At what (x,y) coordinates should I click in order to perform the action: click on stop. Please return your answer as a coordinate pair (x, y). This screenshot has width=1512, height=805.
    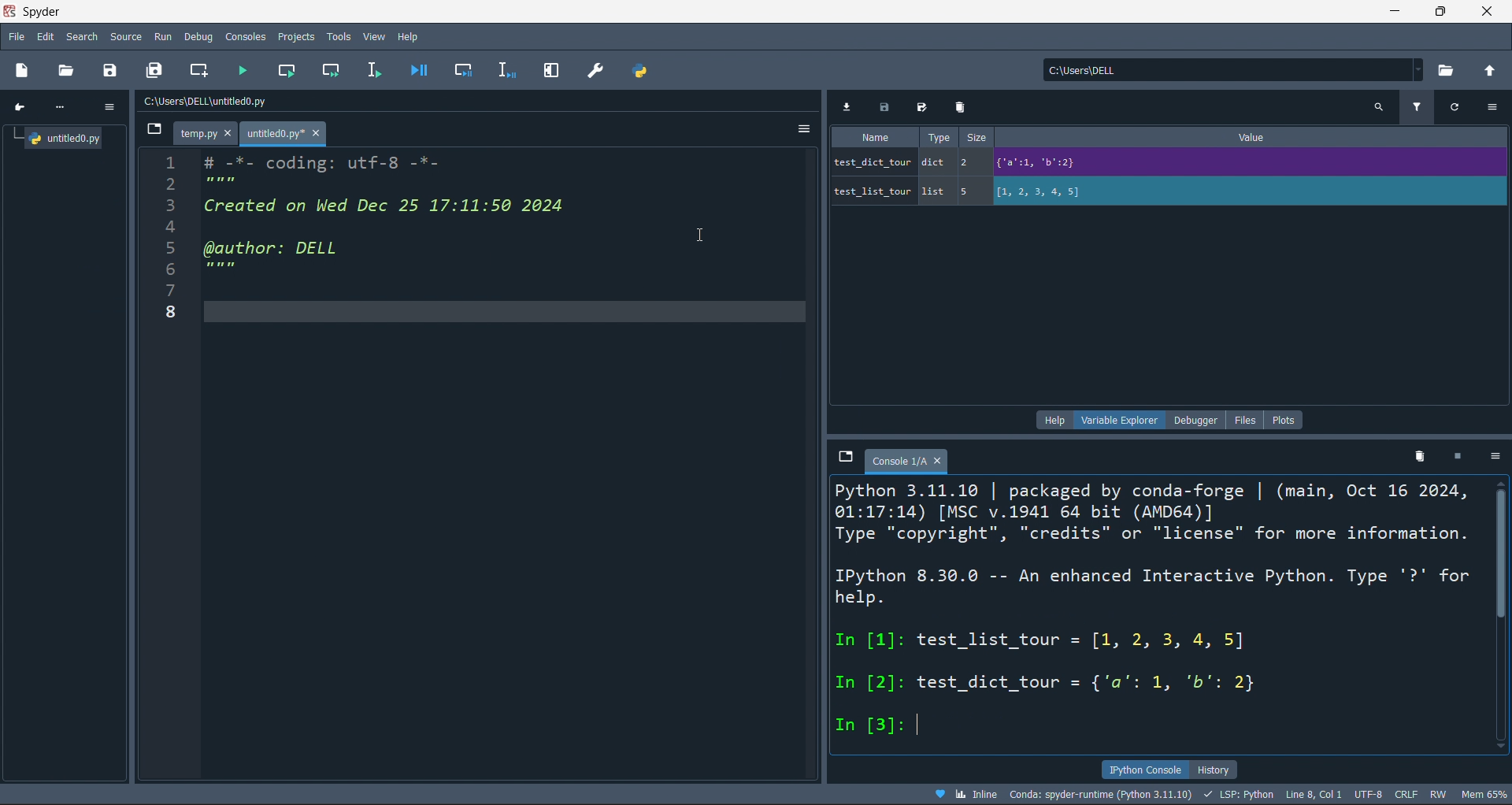
    Looking at the image, I should click on (1464, 456).